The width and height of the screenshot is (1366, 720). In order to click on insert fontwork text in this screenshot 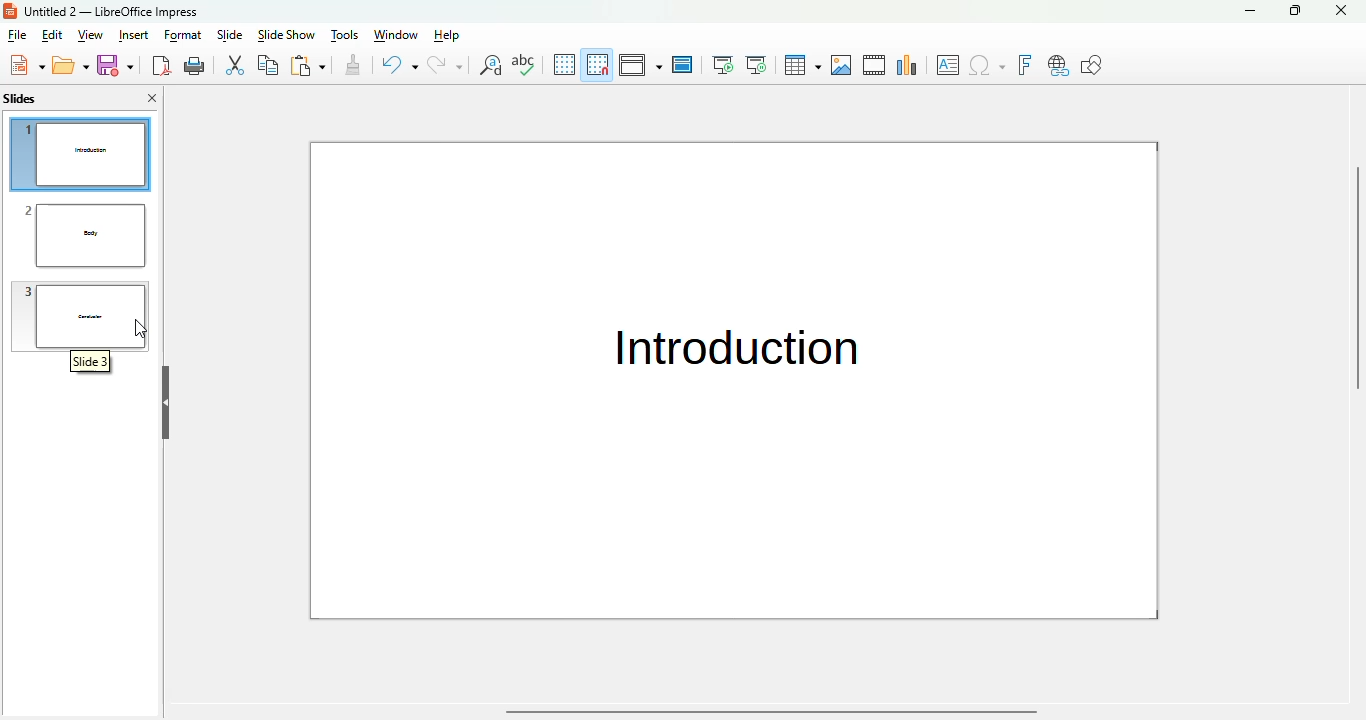, I will do `click(1024, 65)`.